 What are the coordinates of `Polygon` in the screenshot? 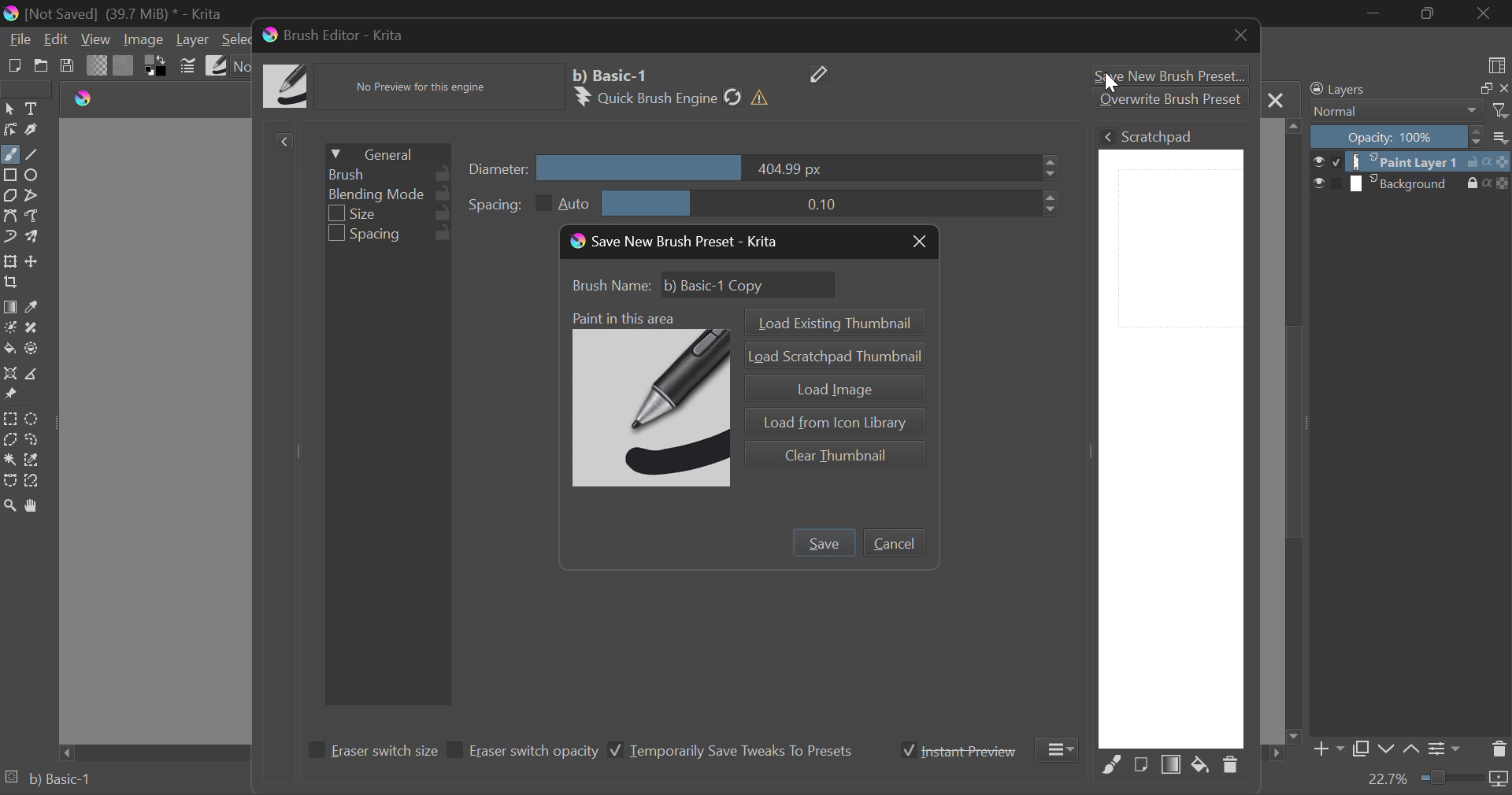 It's located at (11, 196).